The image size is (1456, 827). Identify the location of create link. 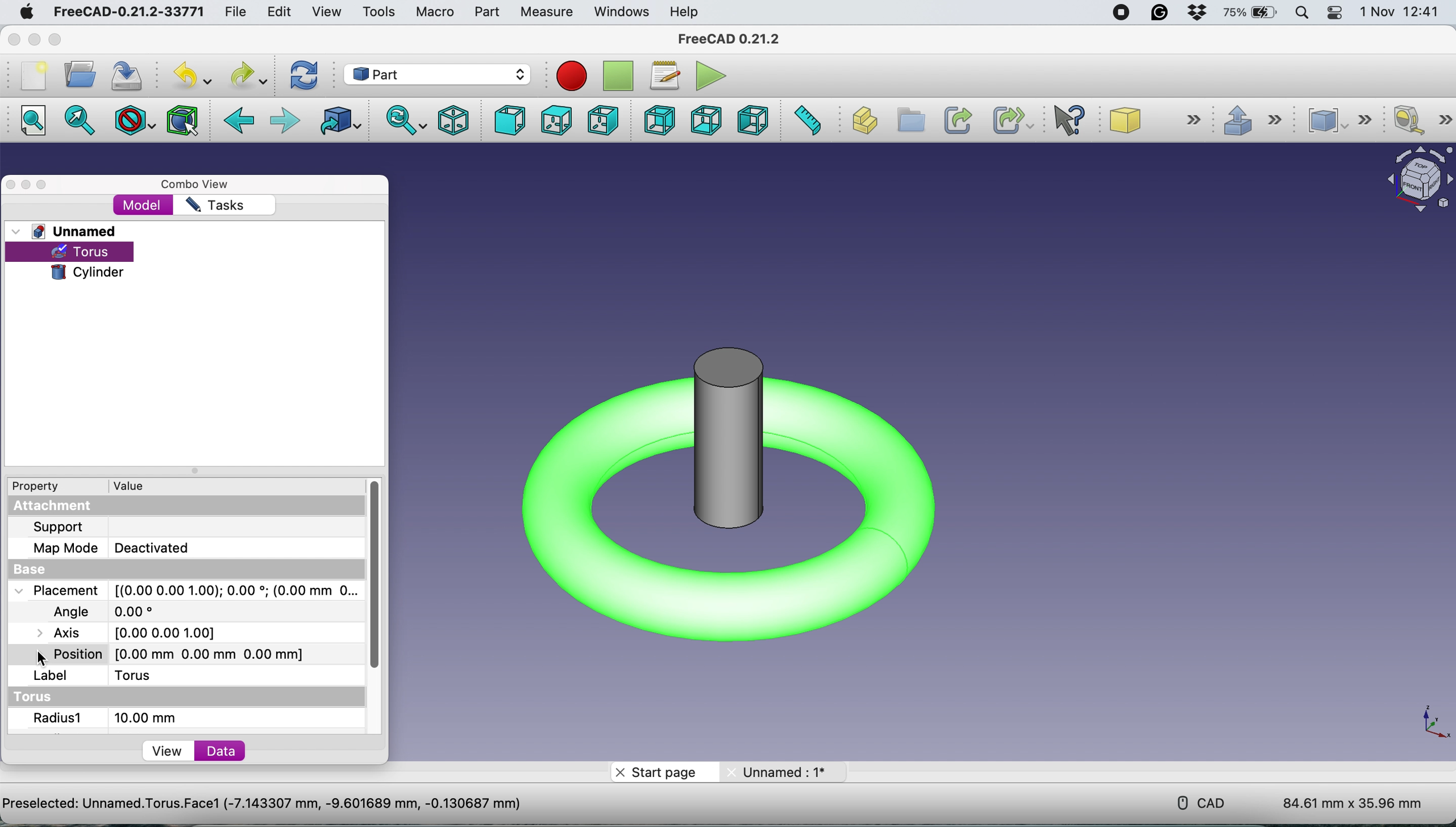
(956, 119).